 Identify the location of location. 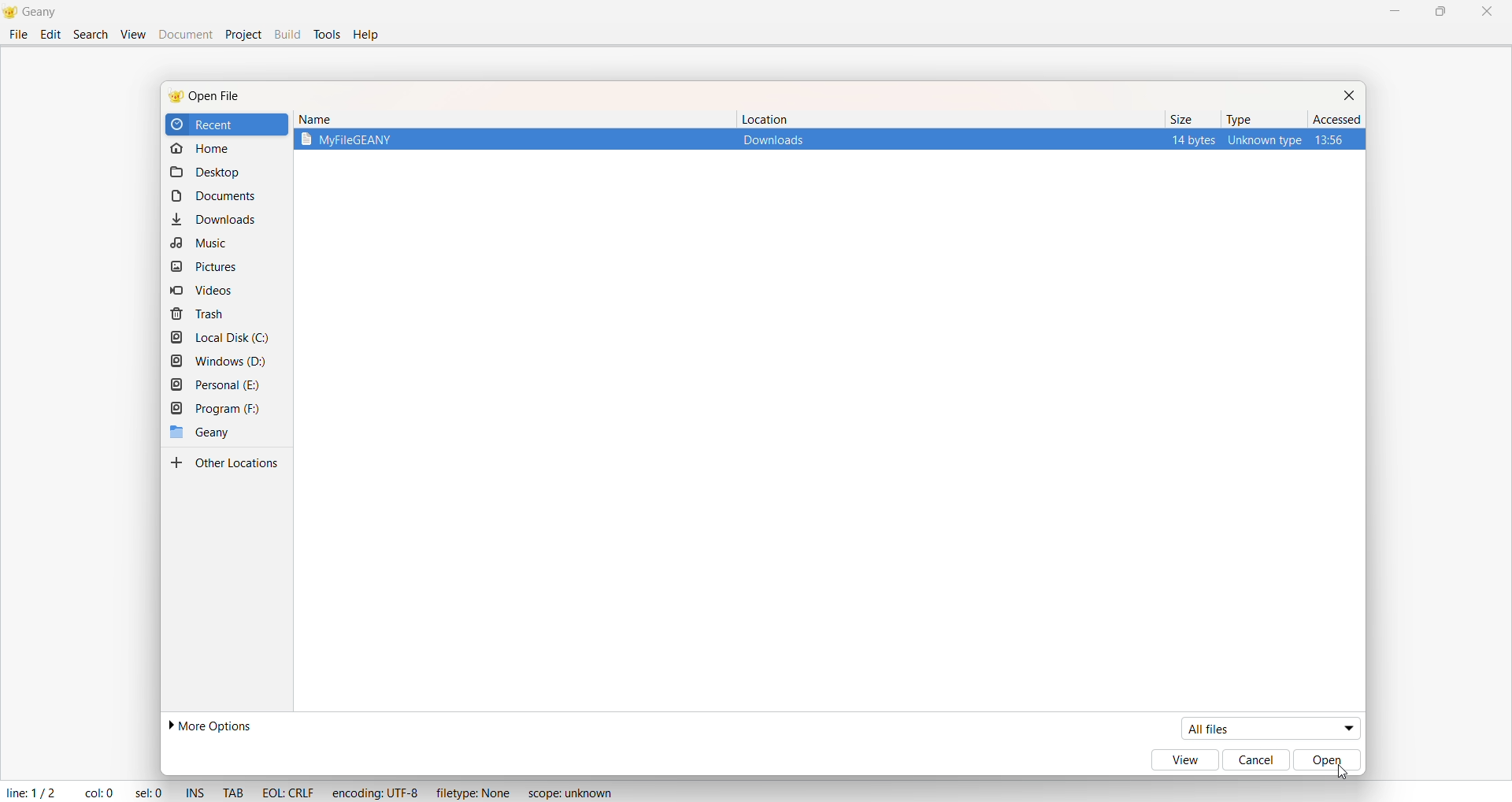
(764, 117).